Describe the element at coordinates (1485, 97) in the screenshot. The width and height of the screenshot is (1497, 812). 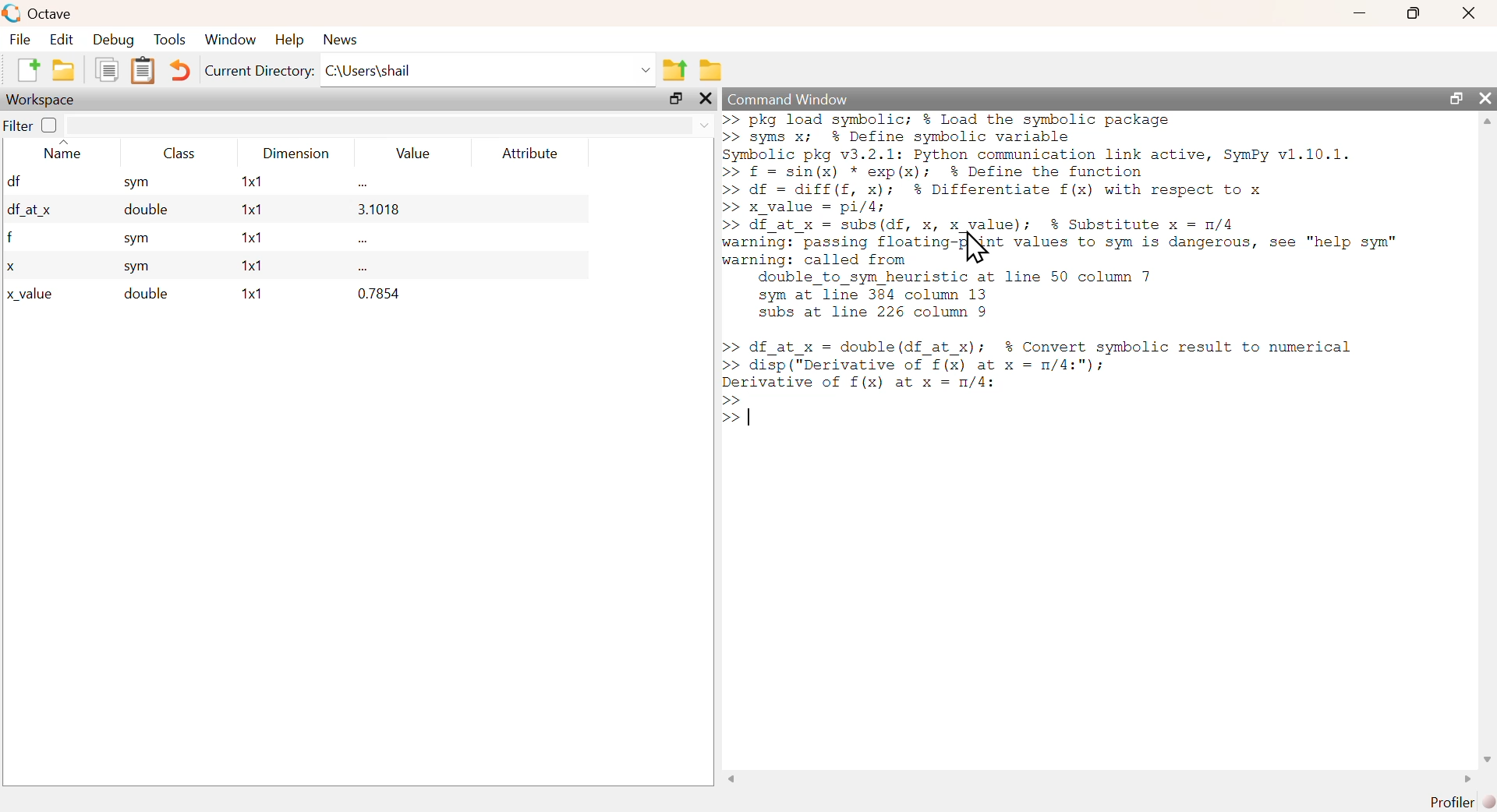
I see `close` at that location.